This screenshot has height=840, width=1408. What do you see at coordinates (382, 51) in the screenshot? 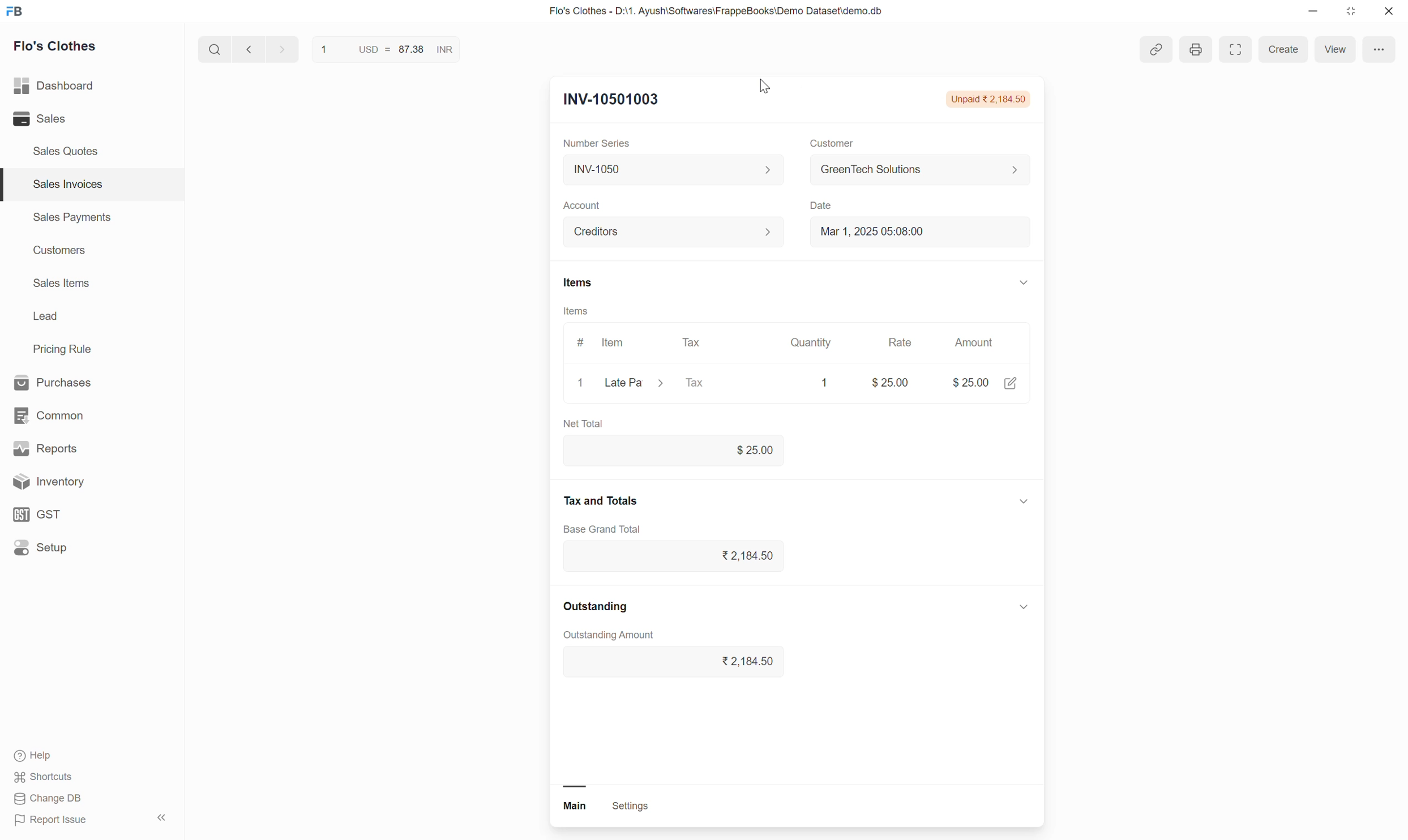
I see `USD = 87.38 INR` at bounding box center [382, 51].